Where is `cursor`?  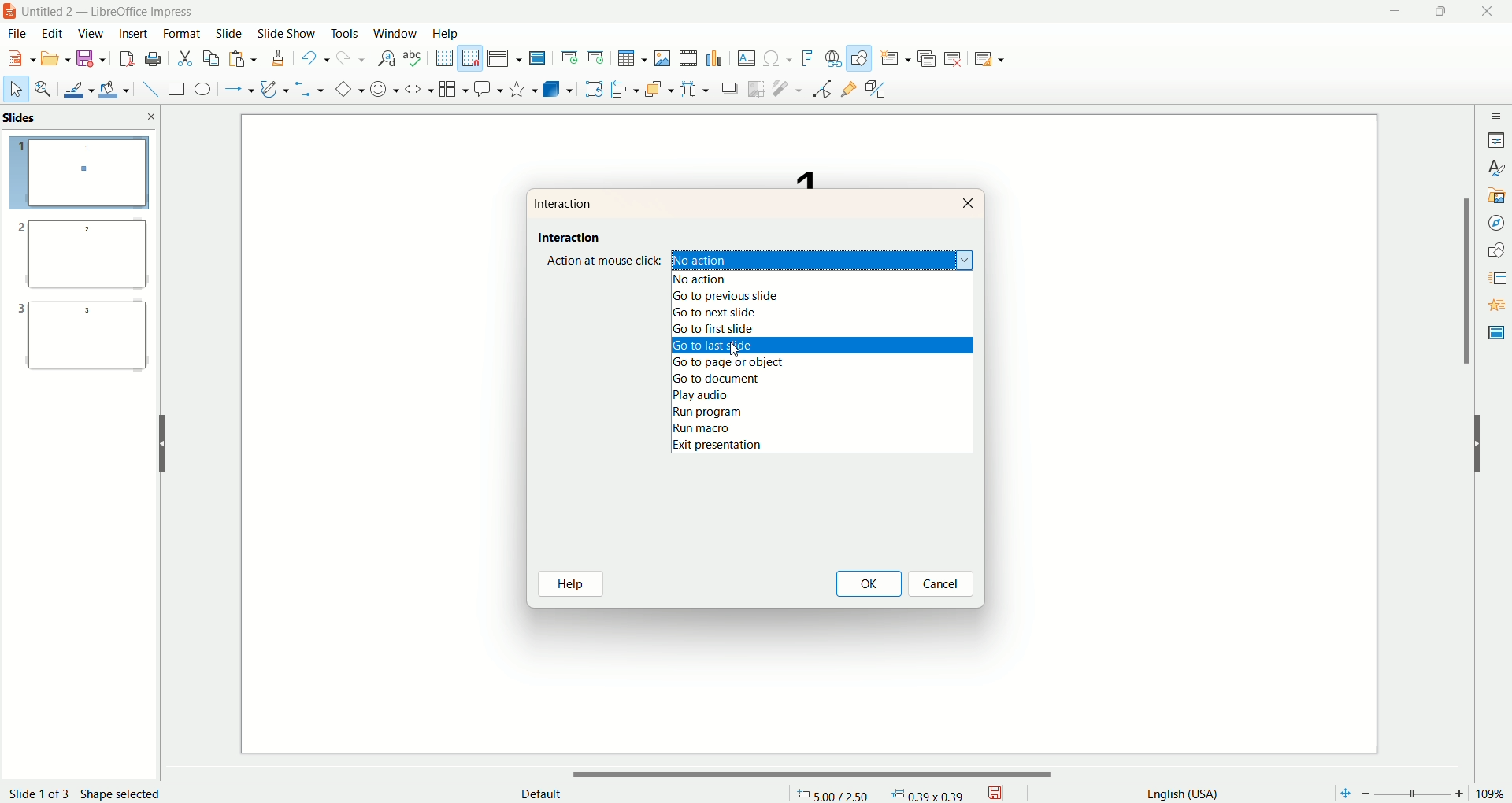 cursor is located at coordinates (738, 353).